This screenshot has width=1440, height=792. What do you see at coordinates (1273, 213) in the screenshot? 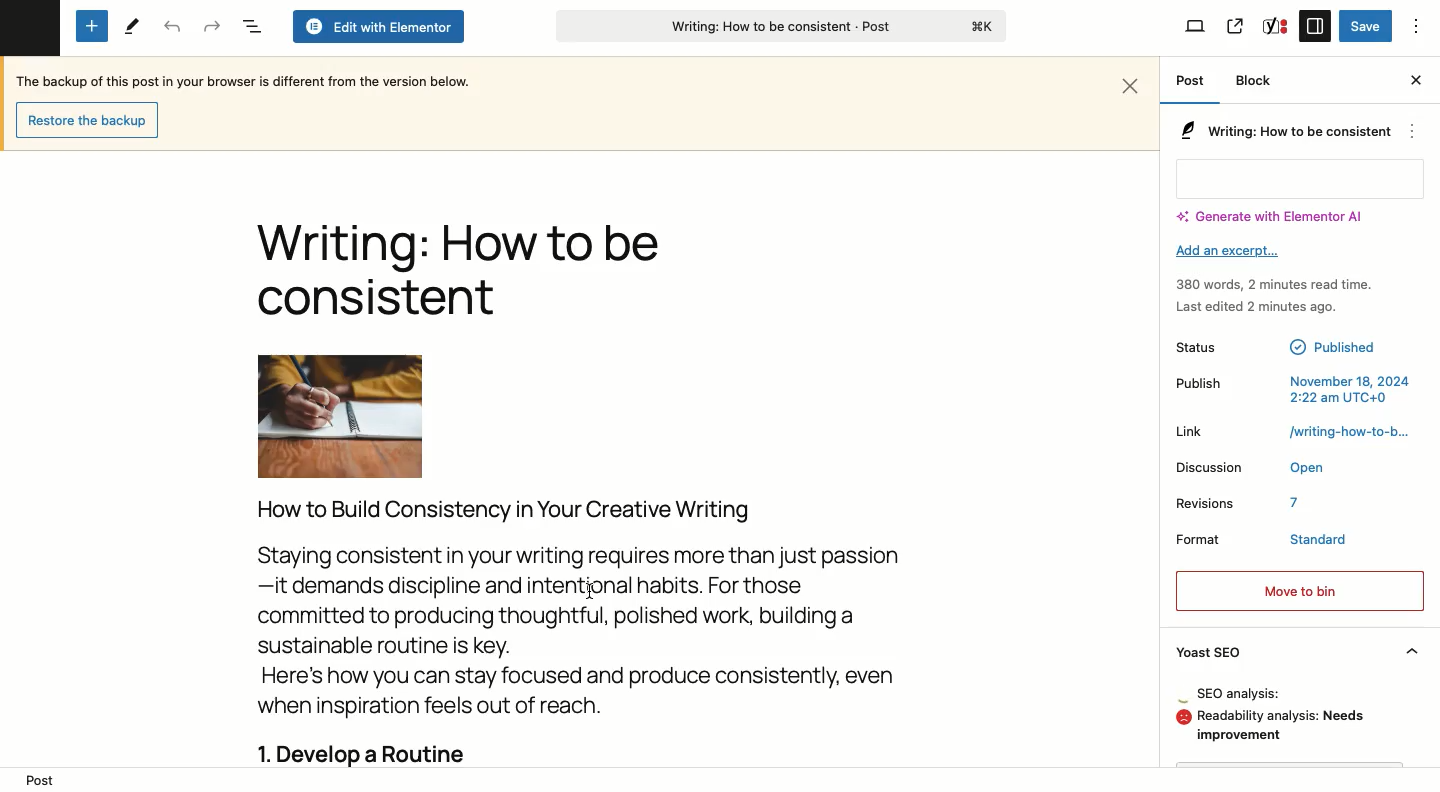
I see `Generate with Elementor AI` at bounding box center [1273, 213].